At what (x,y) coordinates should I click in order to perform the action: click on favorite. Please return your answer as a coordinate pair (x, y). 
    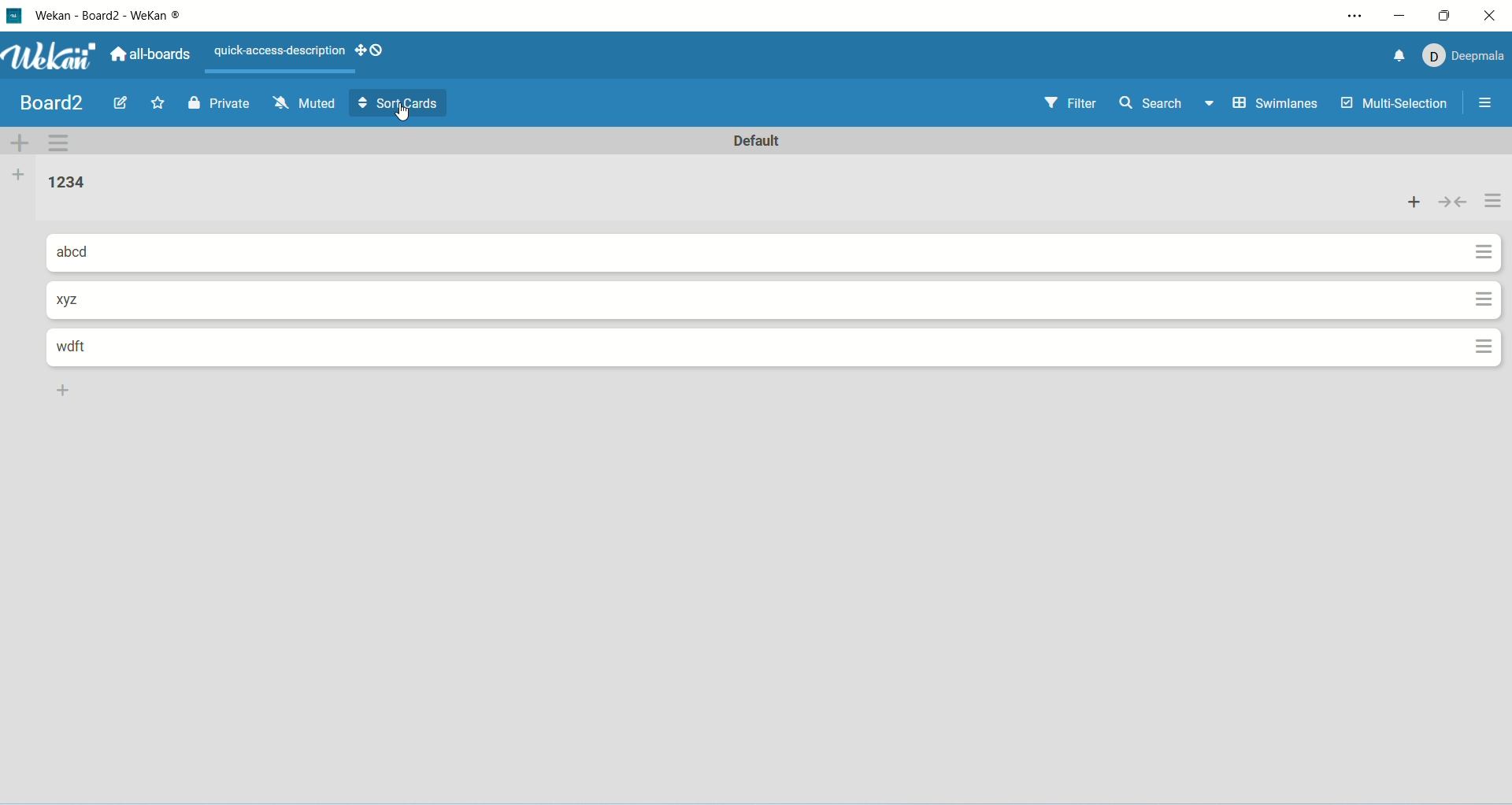
    Looking at the image, I should click on (159, 105).